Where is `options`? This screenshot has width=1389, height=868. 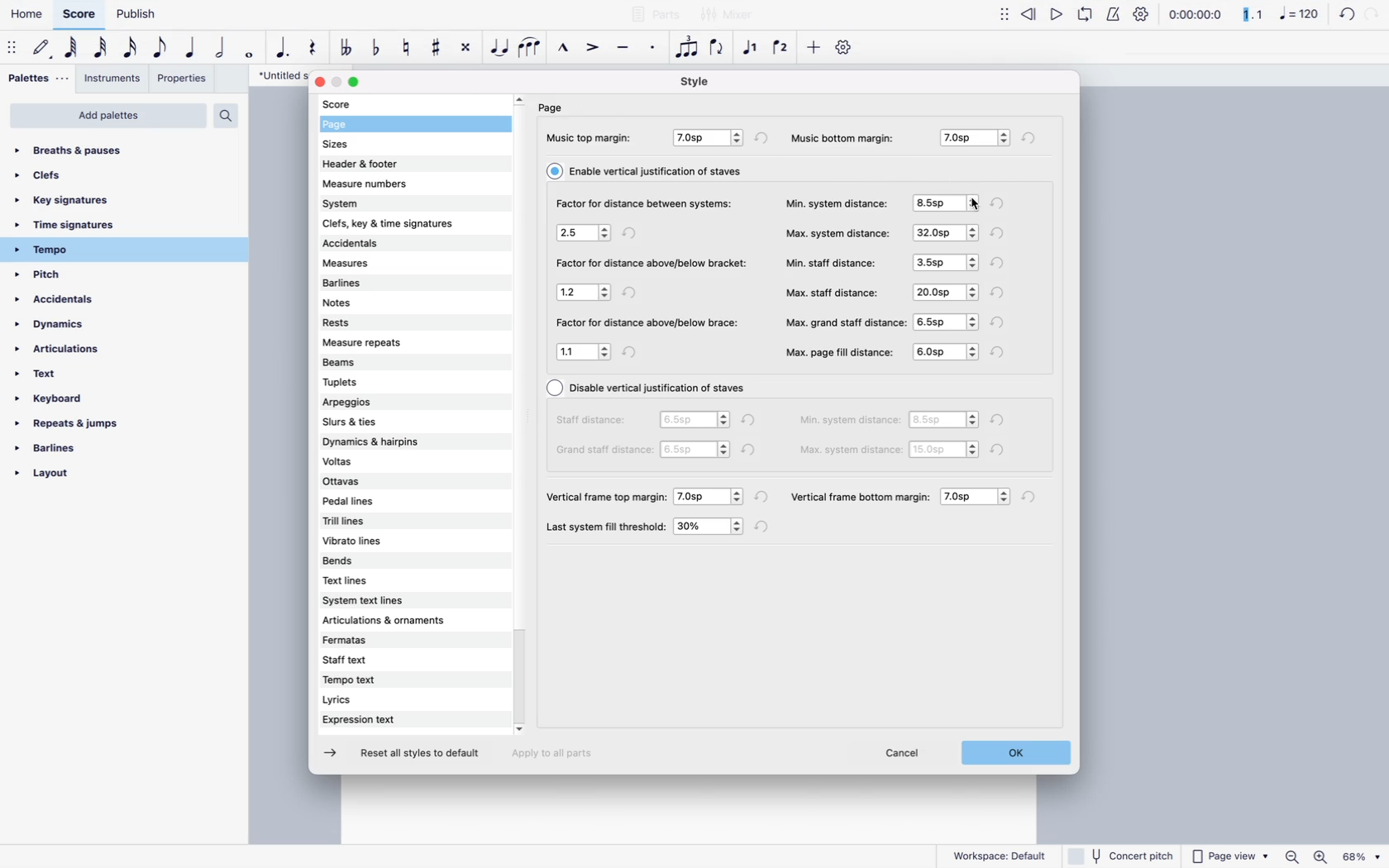 options is located at coordinates (696, 450).